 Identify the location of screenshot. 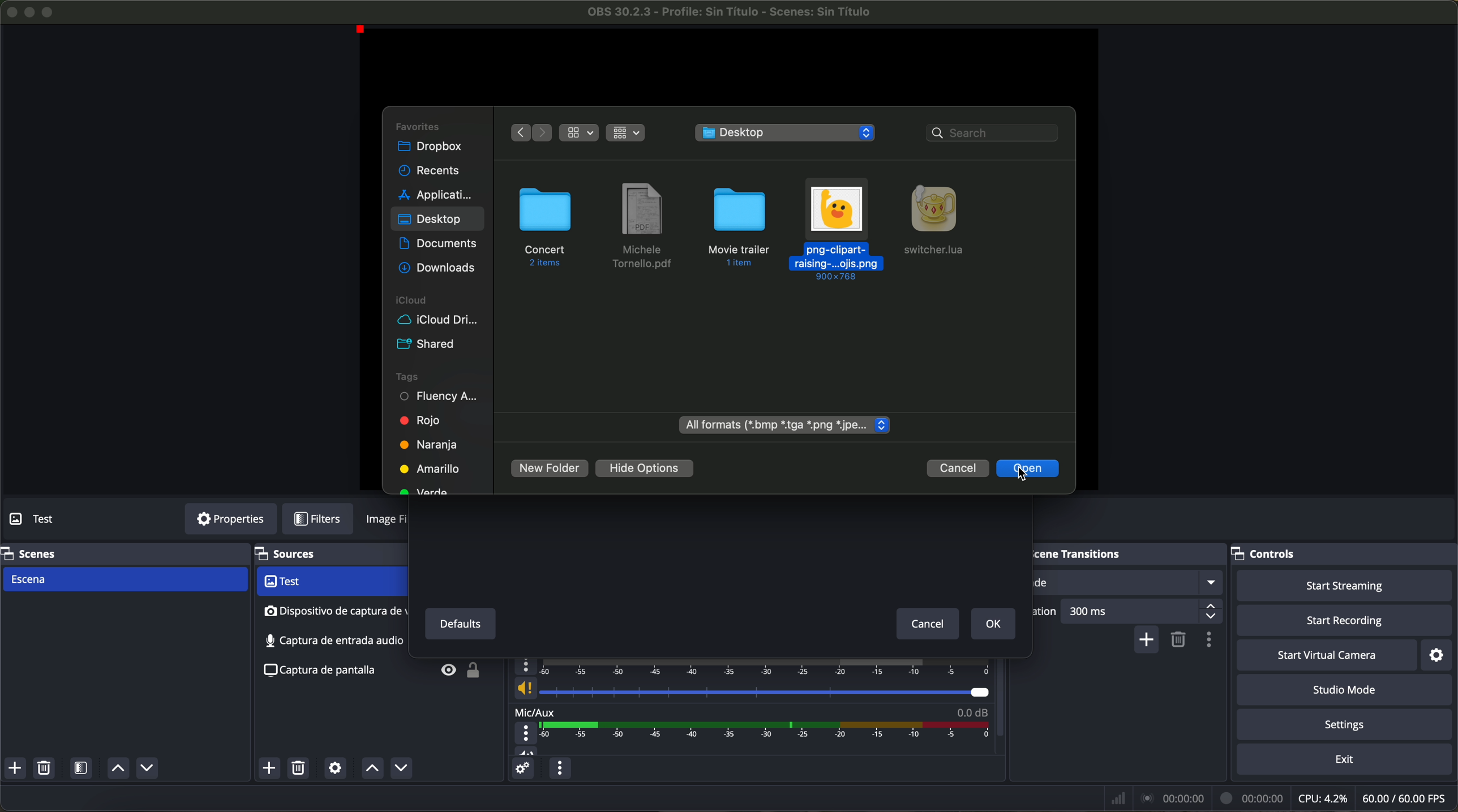
(331, 641).